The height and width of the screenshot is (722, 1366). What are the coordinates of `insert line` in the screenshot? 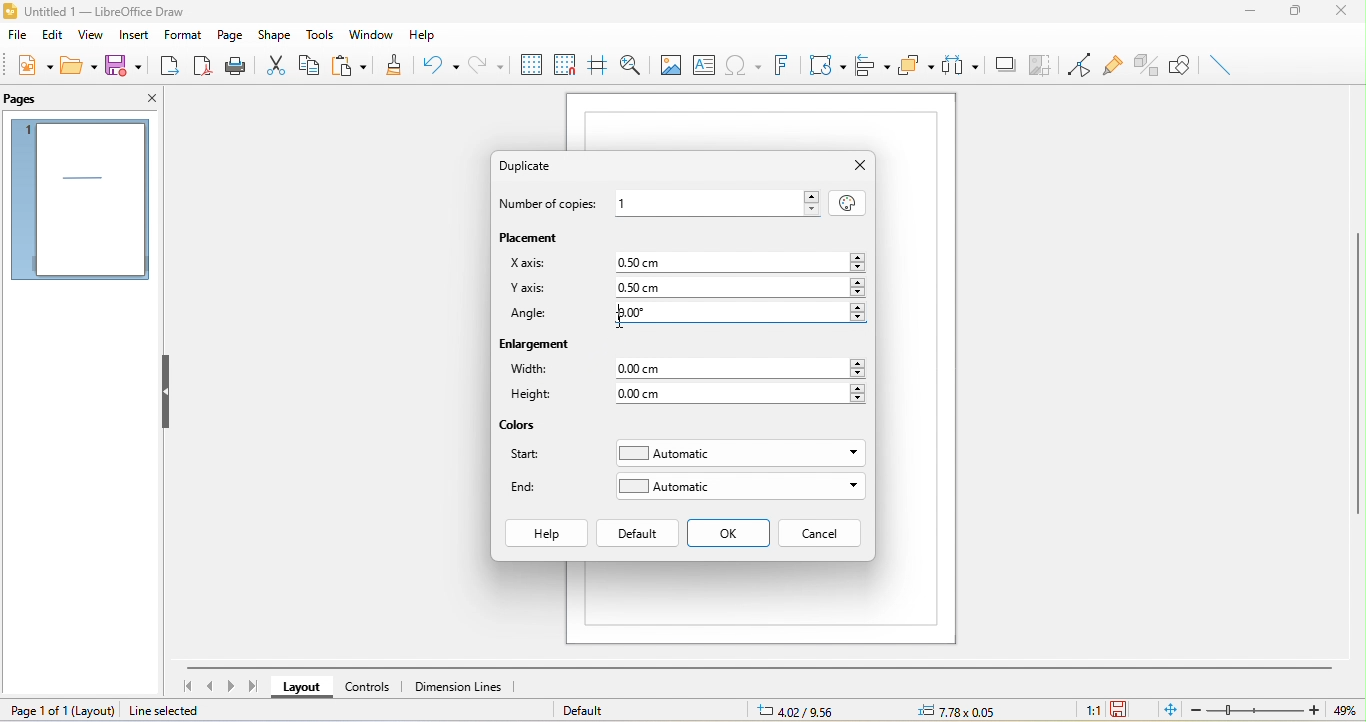 It's located at (1221, 65).